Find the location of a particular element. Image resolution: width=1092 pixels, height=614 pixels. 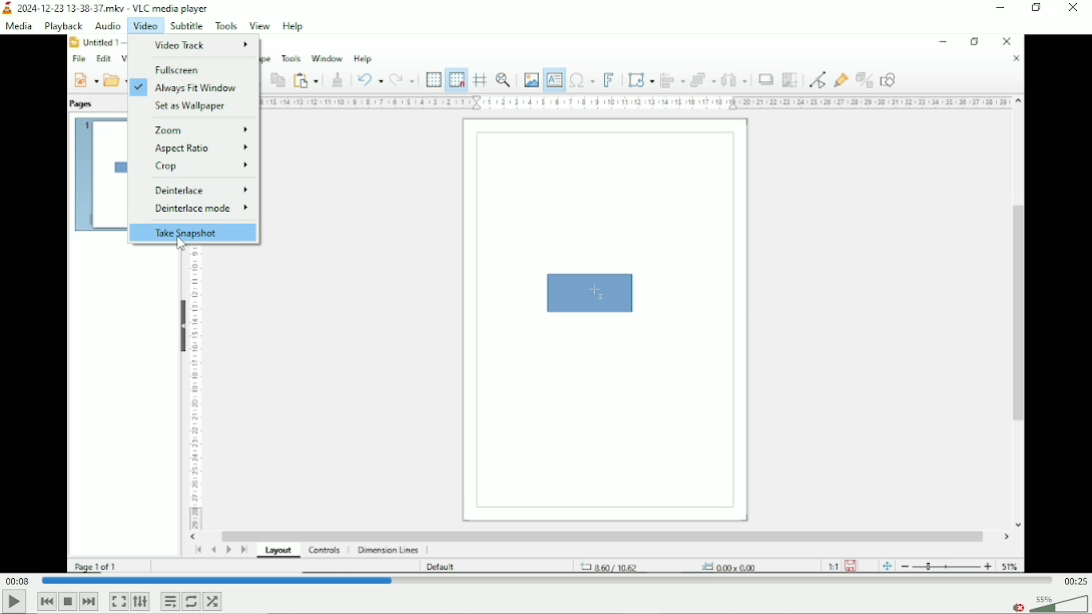

Deinterlace mode is located at coordinates (201, 209).